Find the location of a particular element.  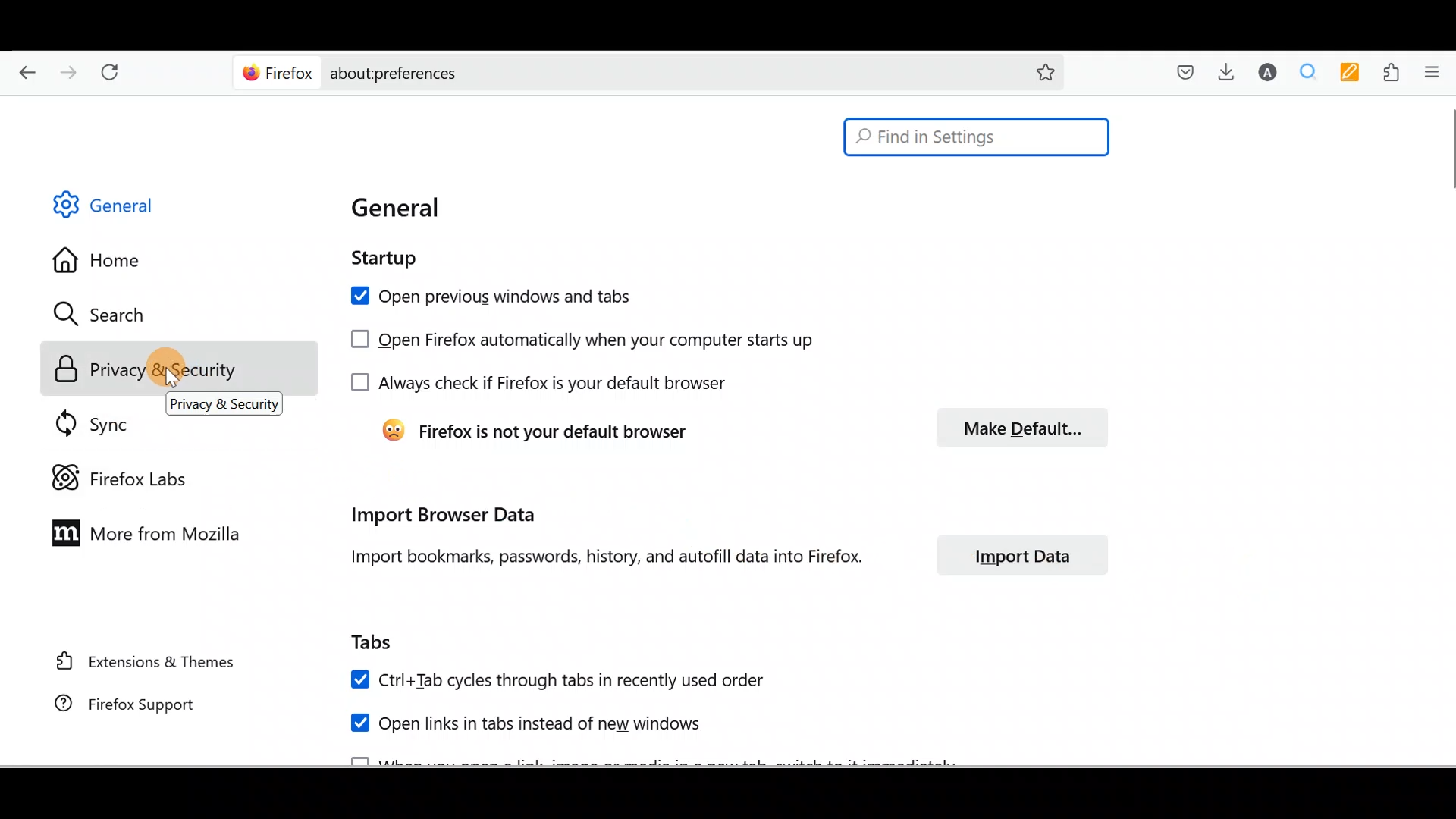

Privacy & security is located at coordinates (140, 367).